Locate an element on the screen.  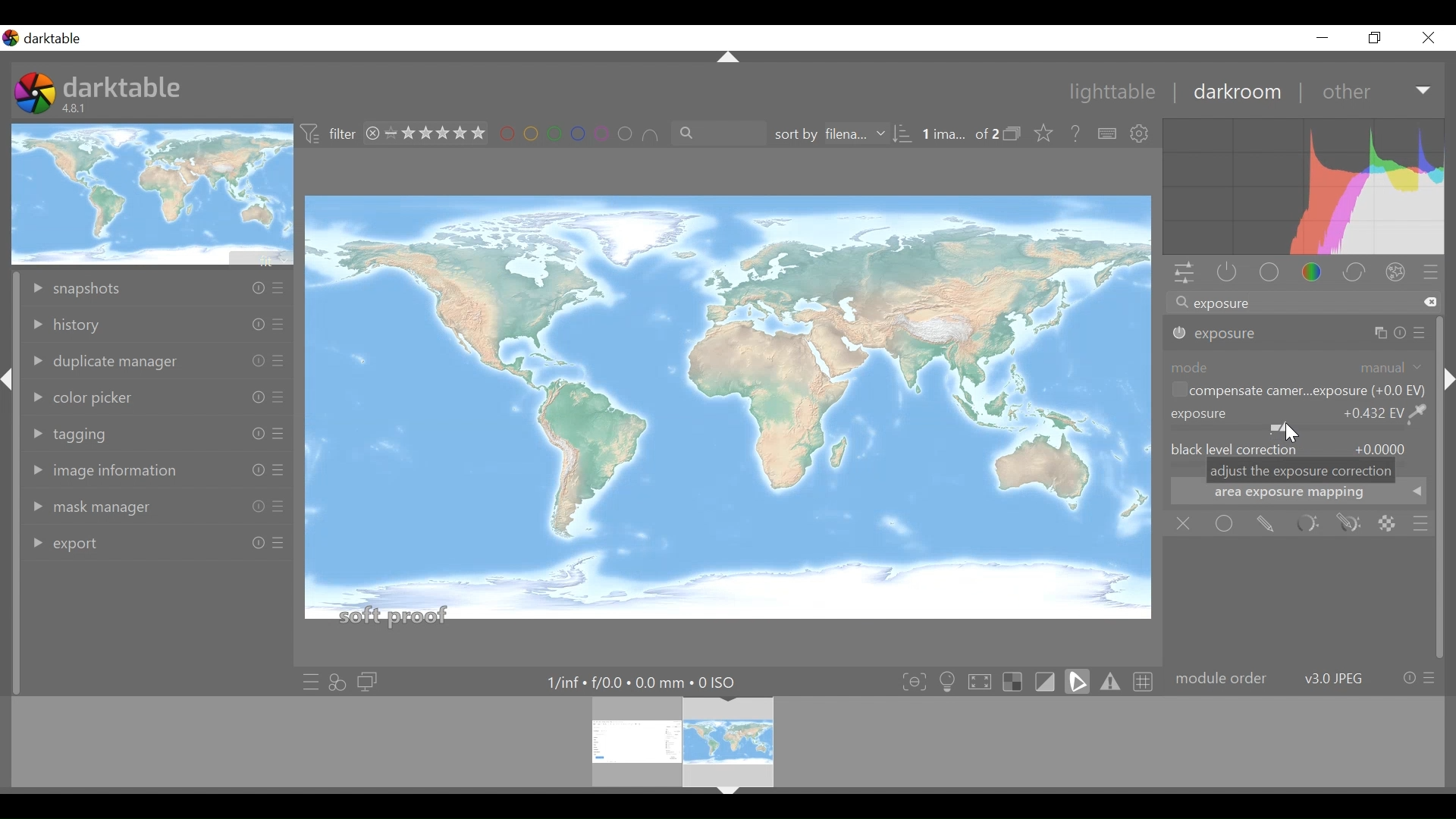
sort by is located at coordinates (838, 135).